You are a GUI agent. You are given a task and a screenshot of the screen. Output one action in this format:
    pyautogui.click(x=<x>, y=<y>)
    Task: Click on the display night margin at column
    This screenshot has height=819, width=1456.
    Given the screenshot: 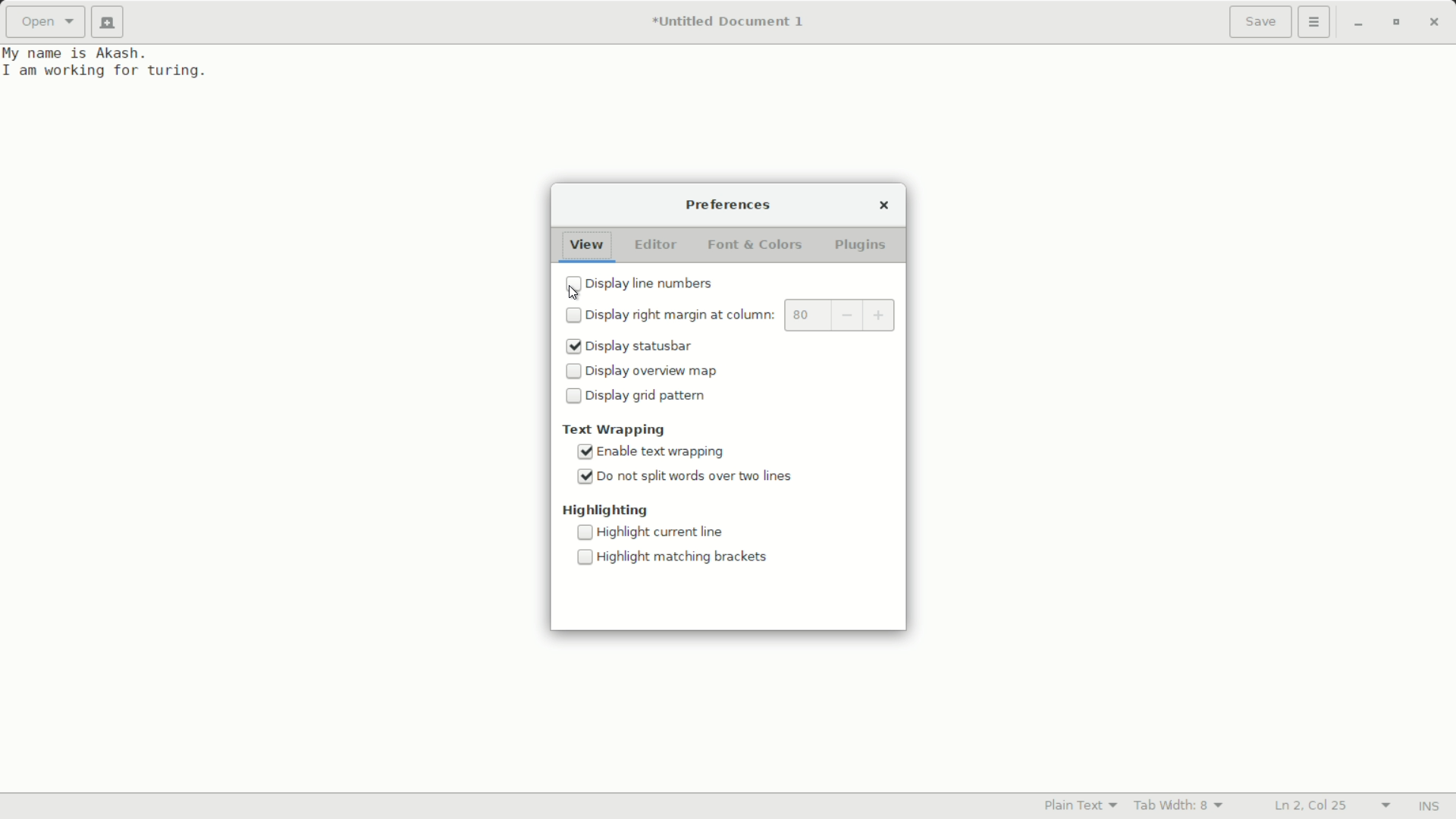 What is the action you would take?
    pyautogui.click(x=683, y=315)
    